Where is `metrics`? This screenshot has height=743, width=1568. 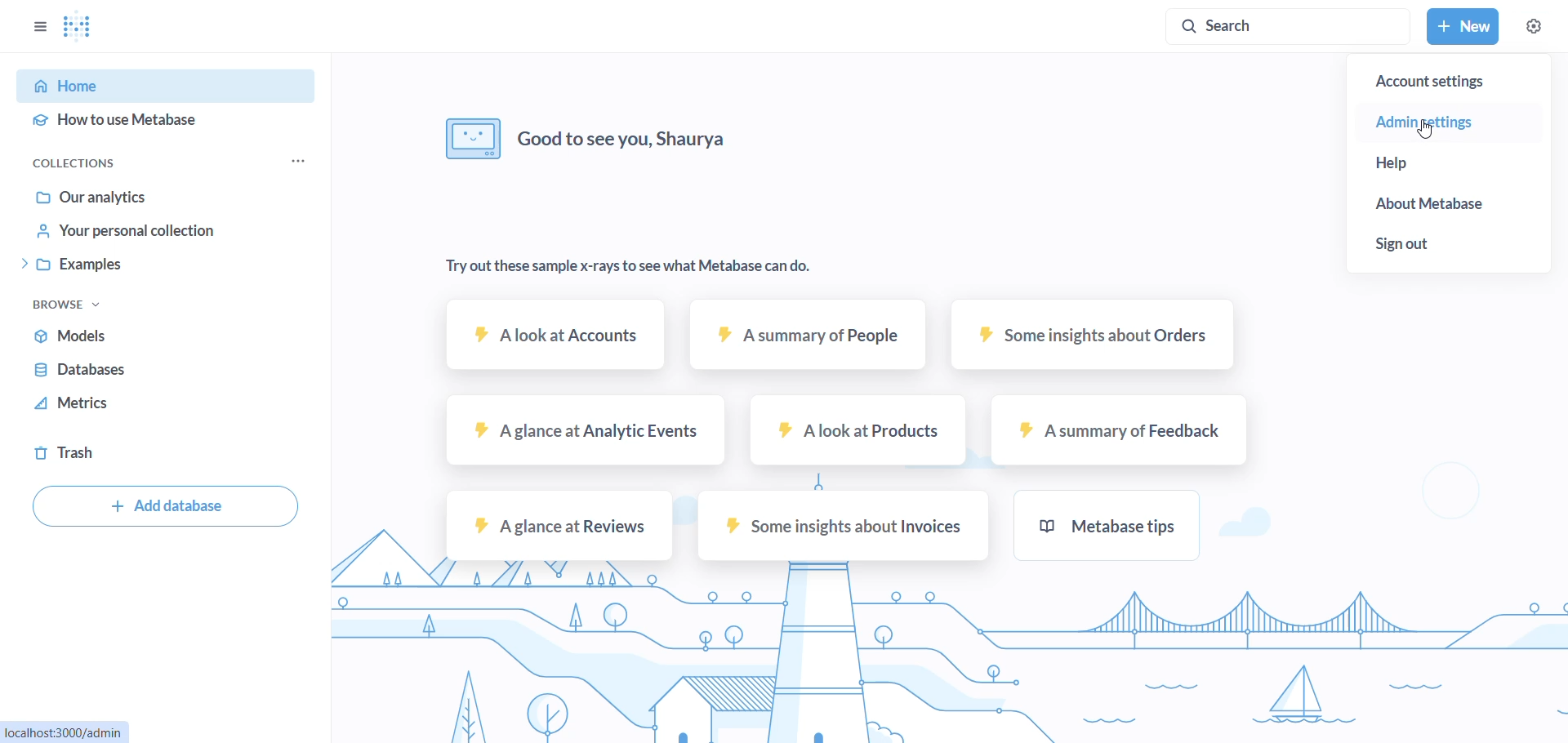 metrics is located at coordinates (96, 404).